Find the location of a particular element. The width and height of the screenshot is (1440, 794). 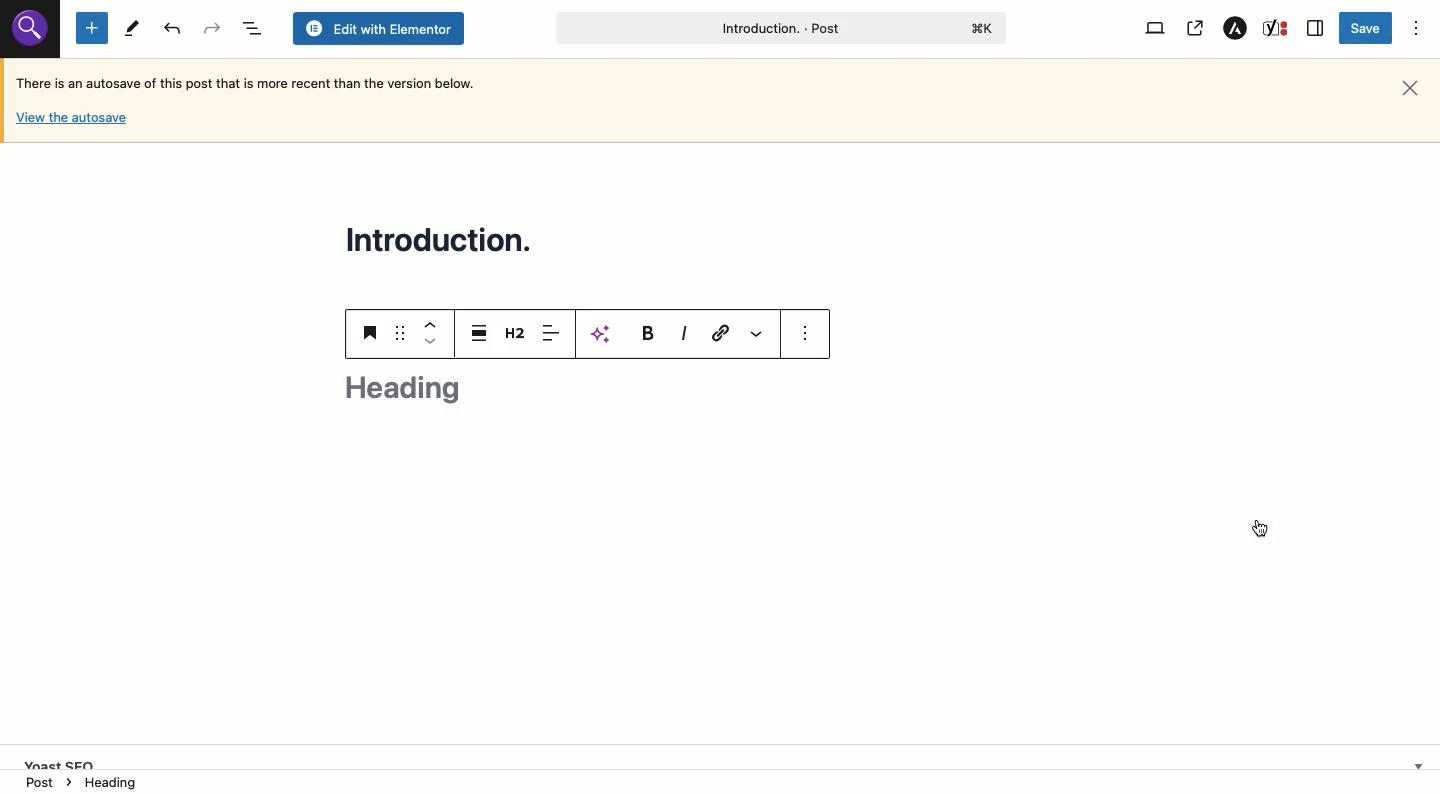

Redo is located at coordinates (174, 29).